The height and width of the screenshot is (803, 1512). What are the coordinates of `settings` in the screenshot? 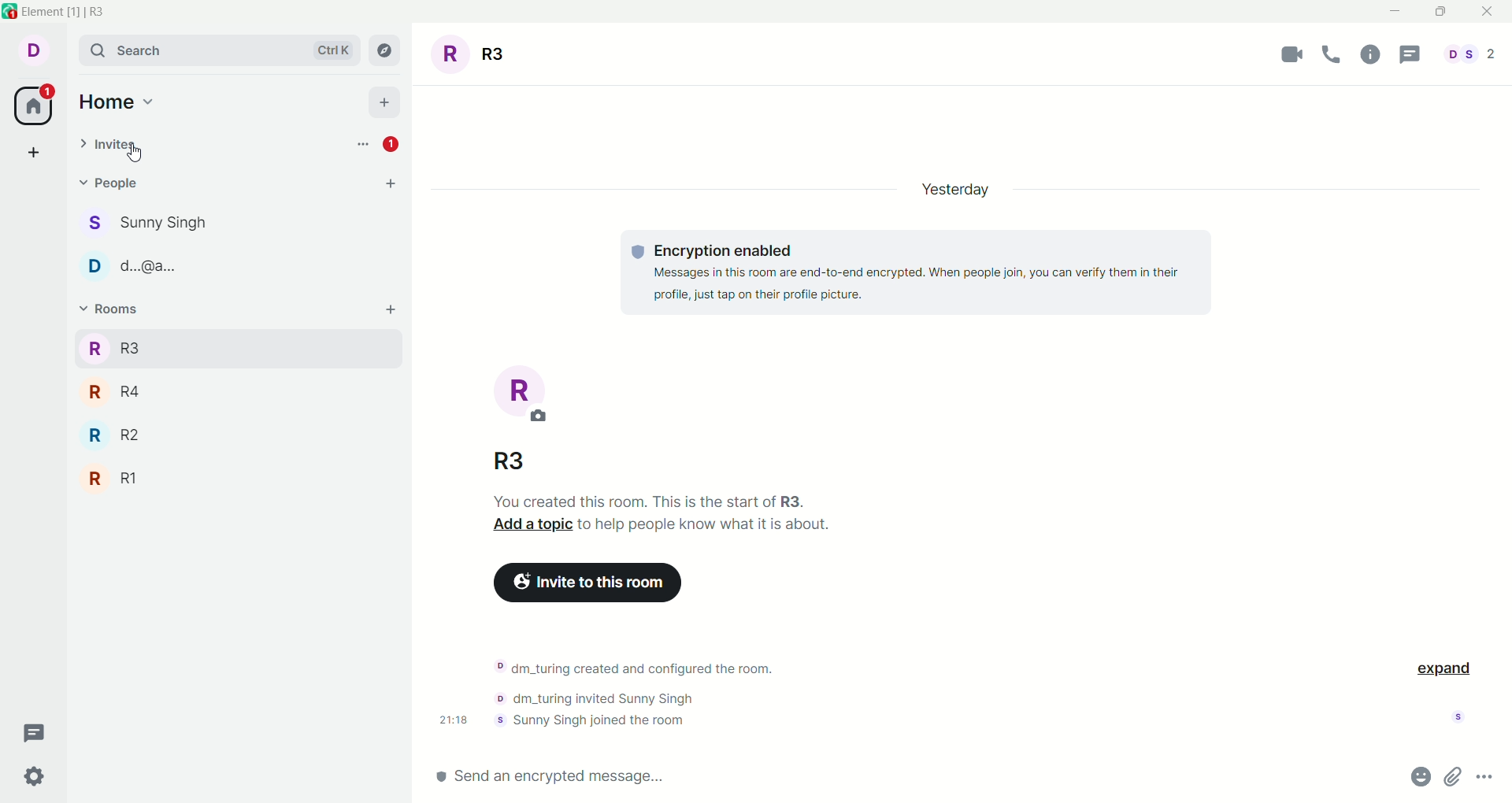 It's located at (36, 779).